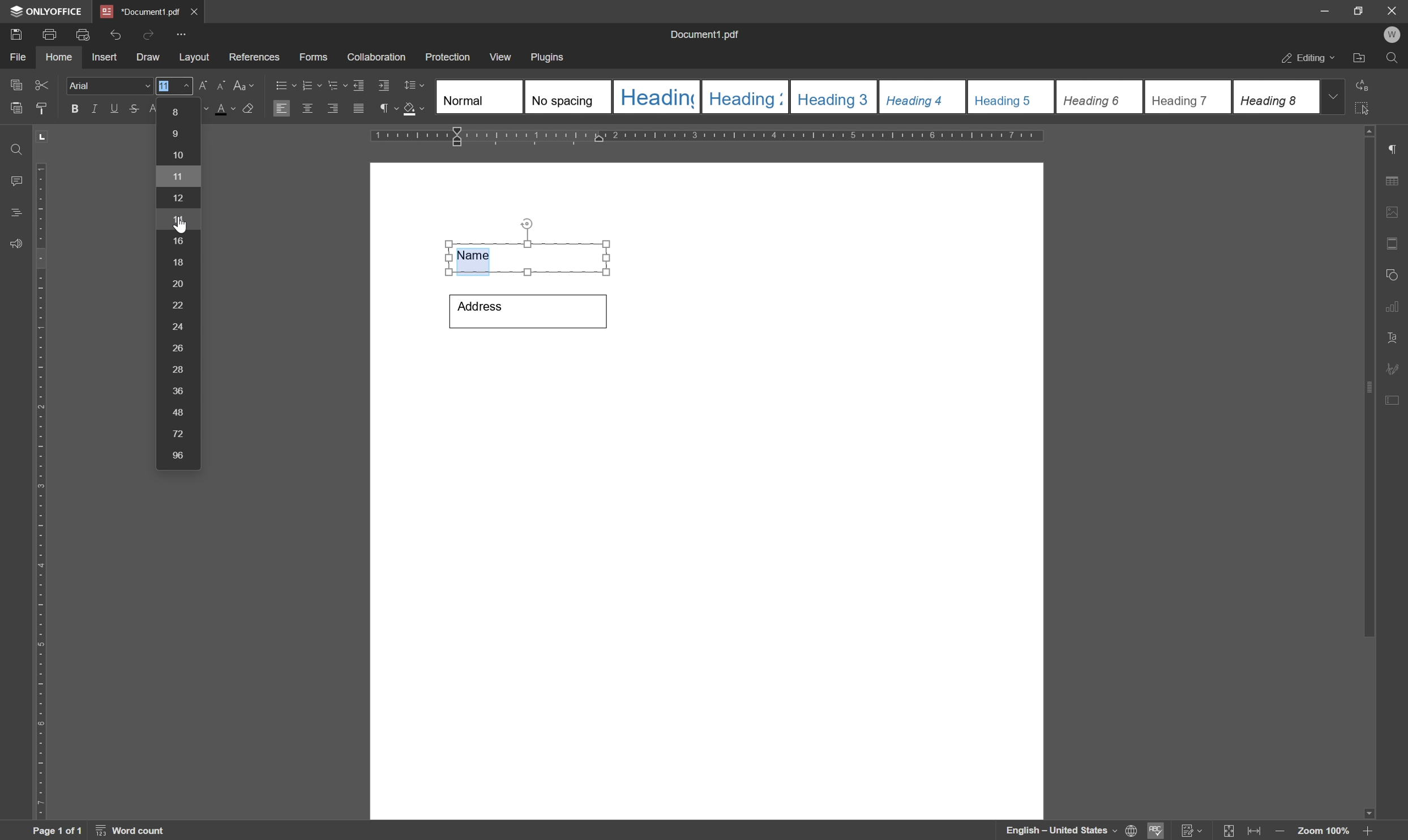 The image size is (1408, 840). What do you see at coordinates (59, 57) in the screenshot?
I see `home` at bounding box center [59, 57].